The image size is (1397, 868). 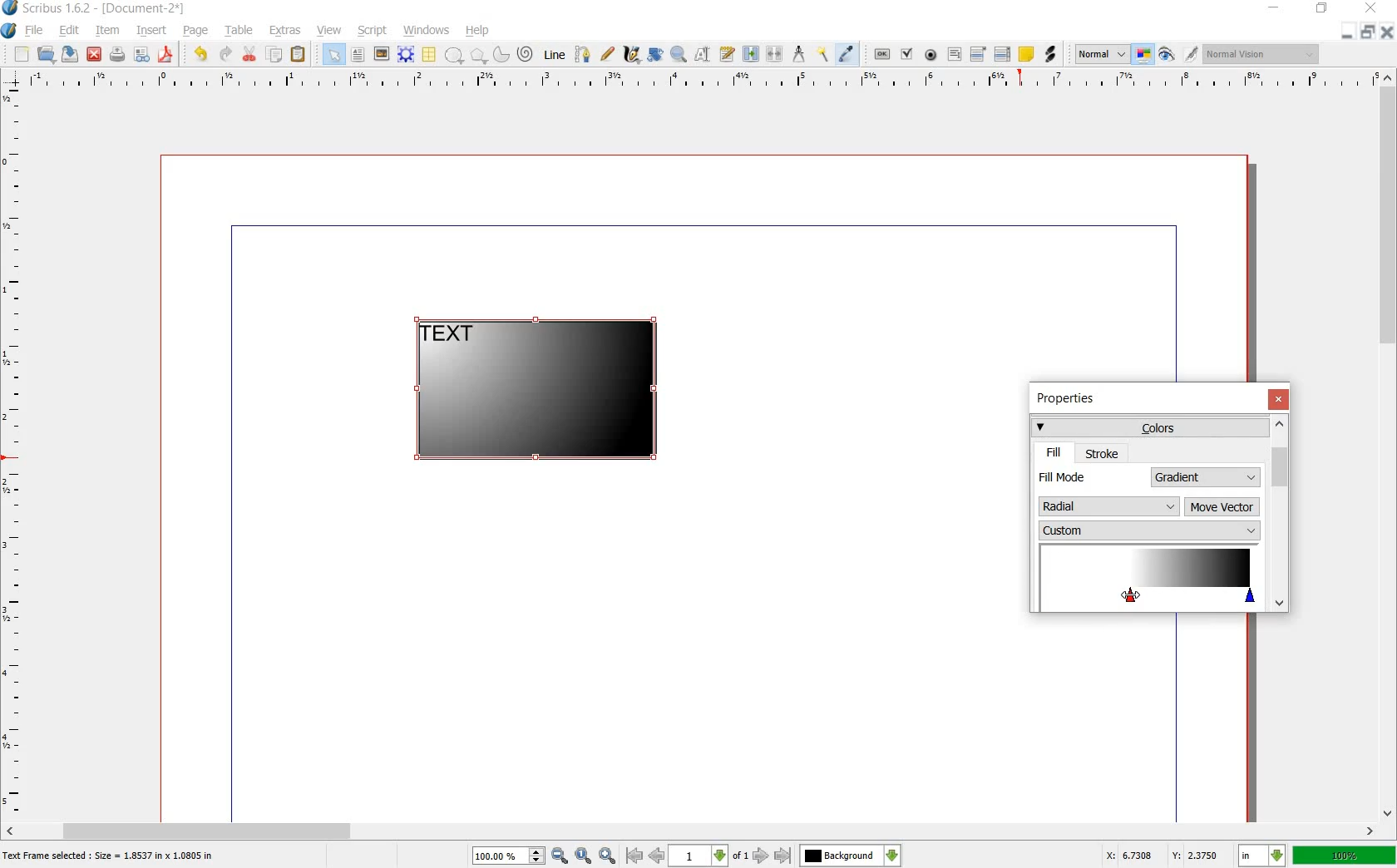 What do you see at coordinates (1389, 446) in the screenshot?
I see `scroll bar` at bounding box center [1389, 446].